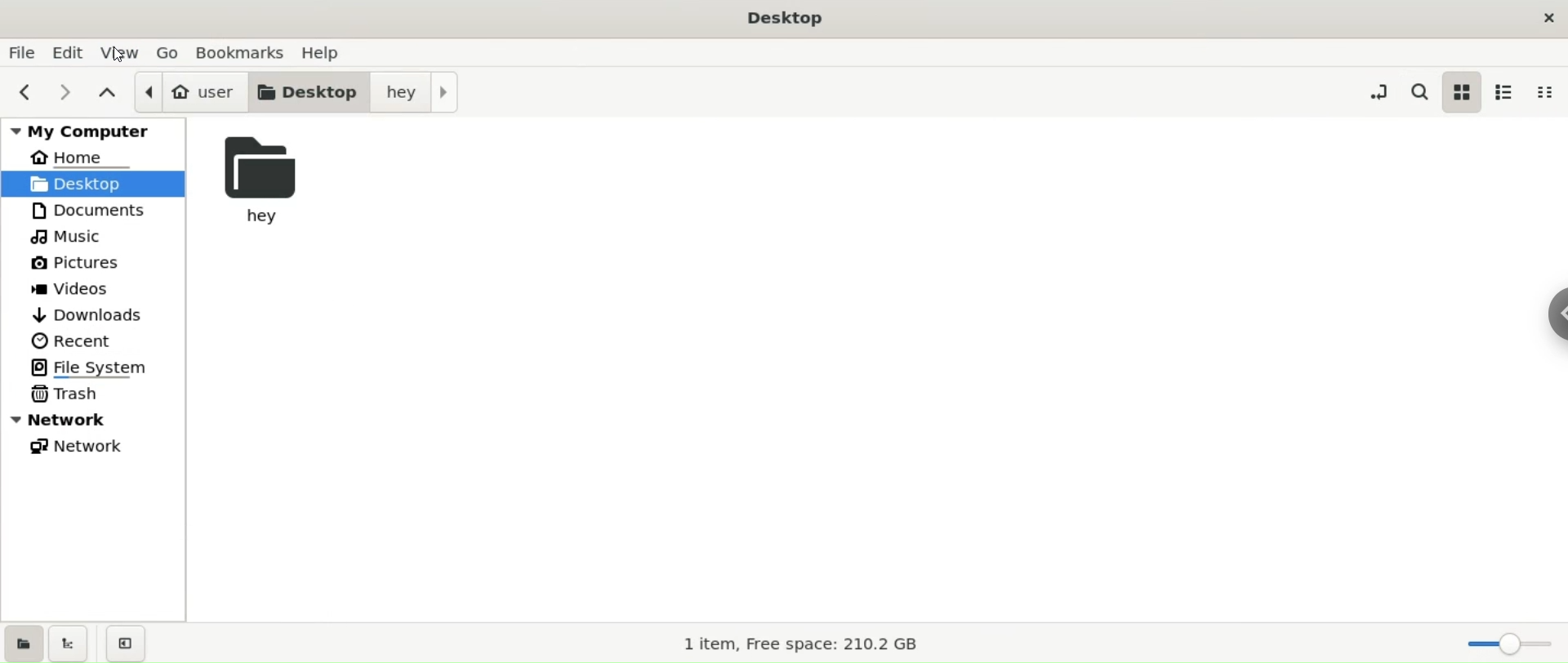 The image size is (1568, 663). What do you see at coordinates (104, 211) in the screenshot?
I see `documents` at bounding box center [104, 211].